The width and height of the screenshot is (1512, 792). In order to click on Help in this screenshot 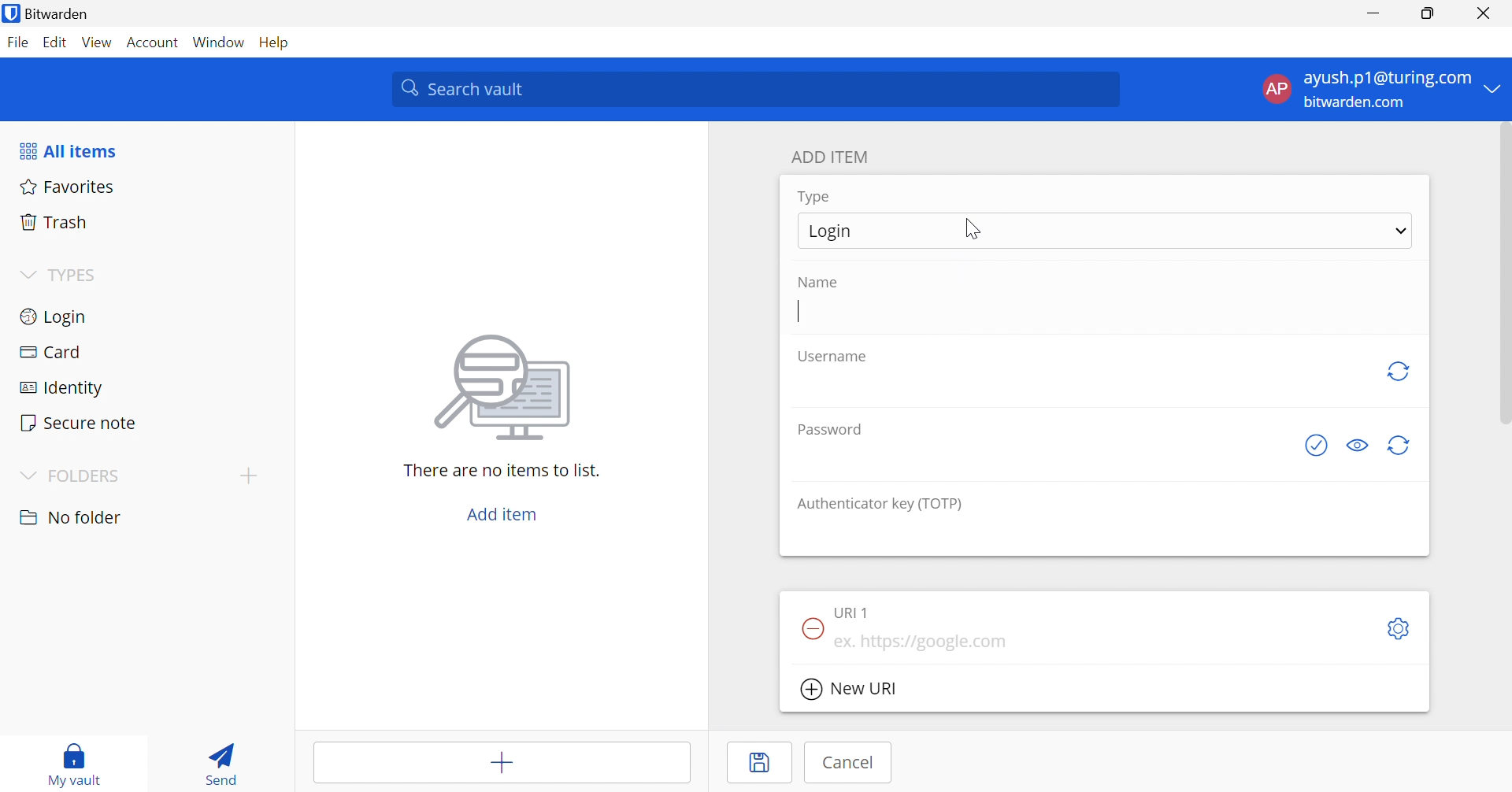, I will do `click(281, 43)`.